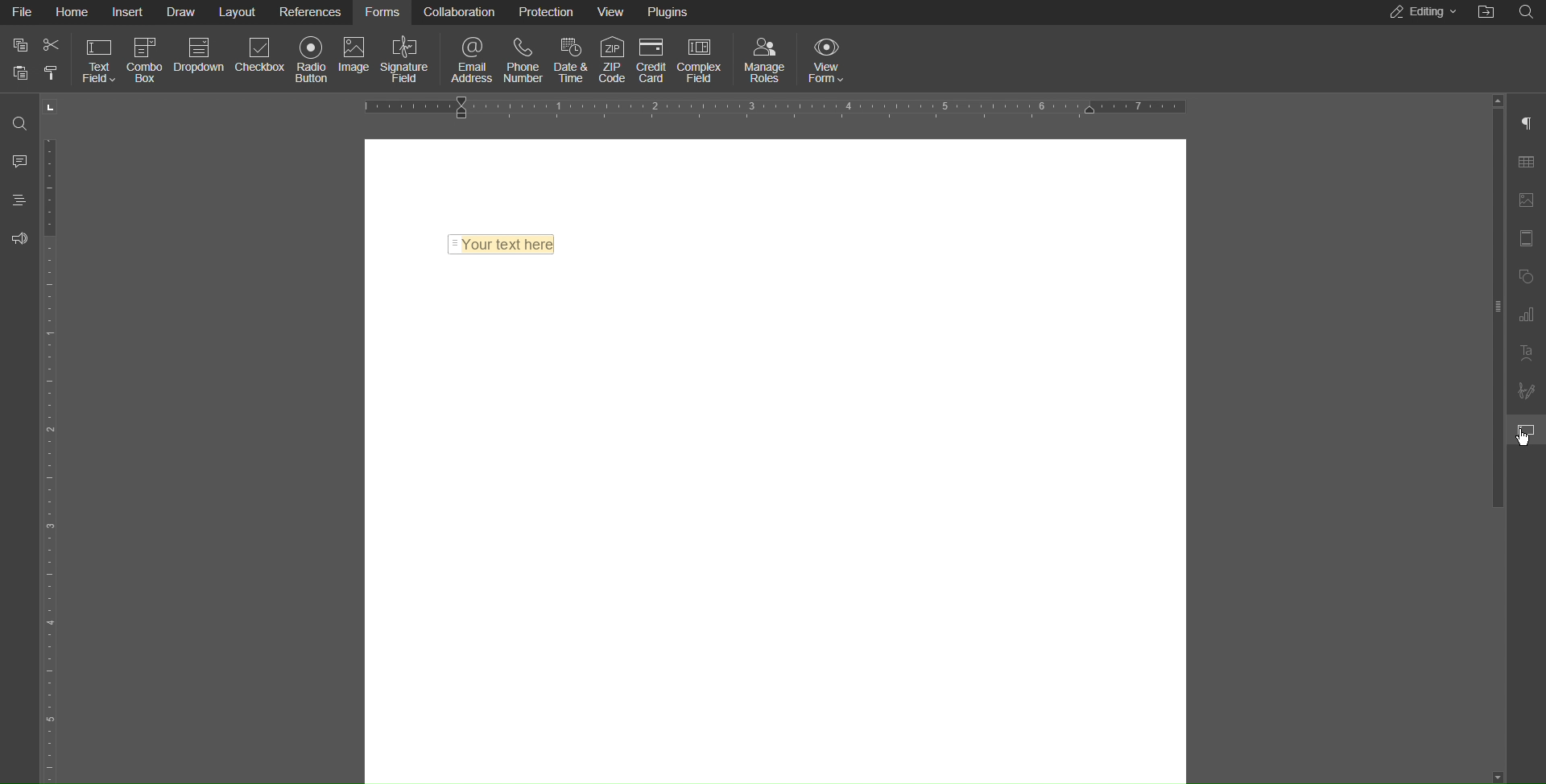 The width and height of the screenshot is (1546, 784). What do you see at coordinates (18, 160) in the screenshot?
I see `Comments` at bounding box center [18, 160].